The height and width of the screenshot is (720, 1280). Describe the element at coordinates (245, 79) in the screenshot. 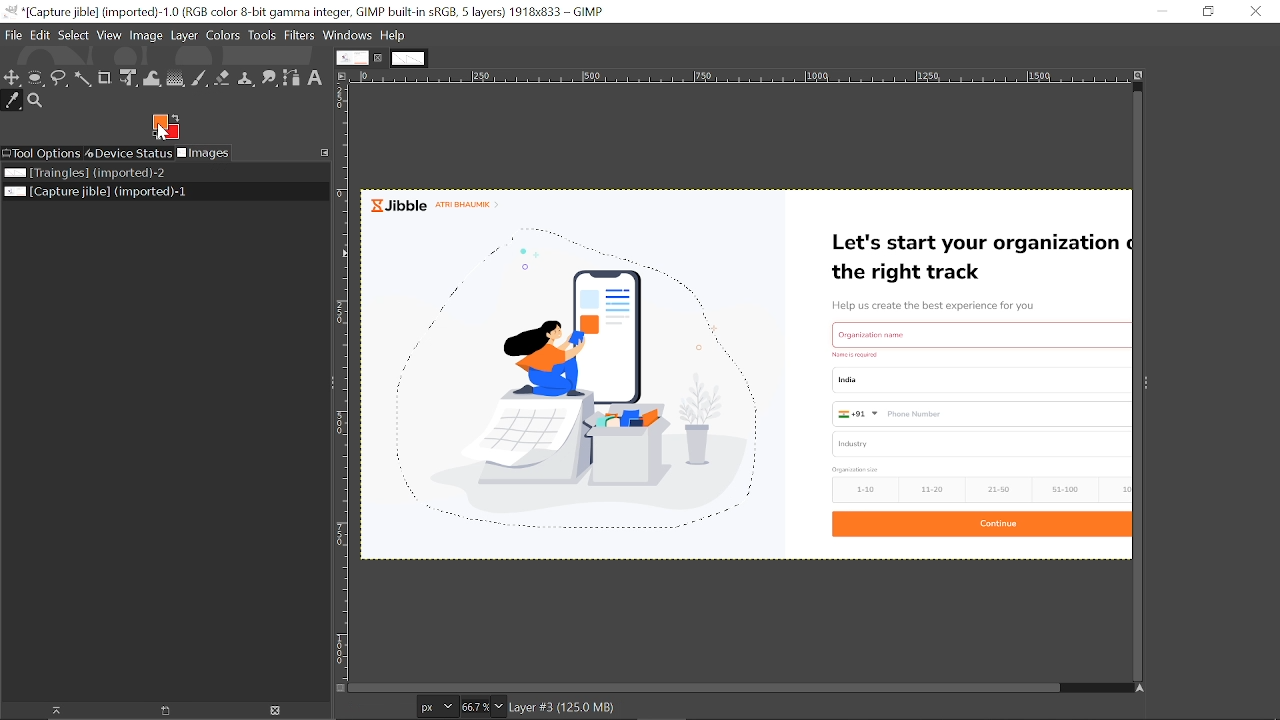

I see `Clone tool` at that location.